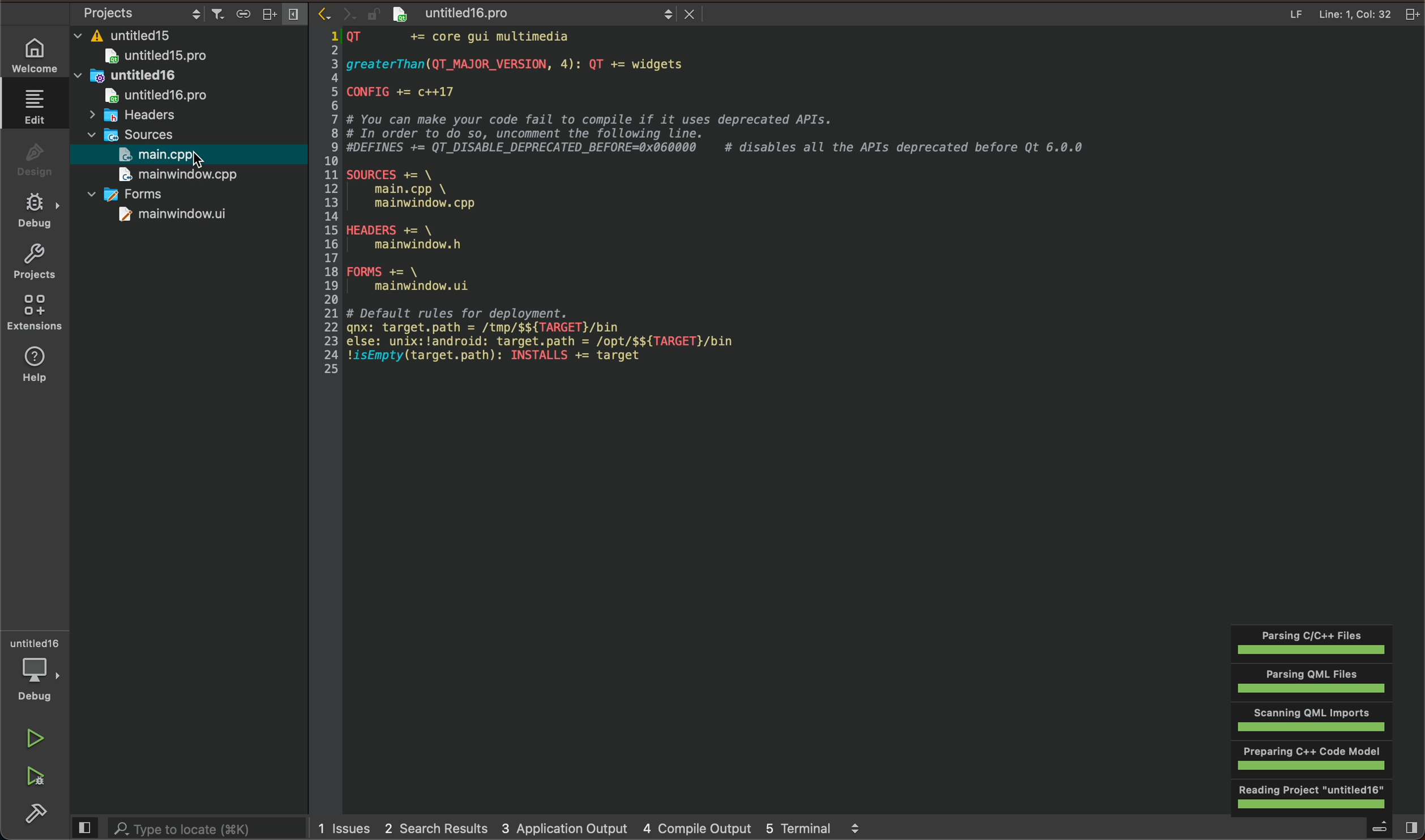  I want to click on forms, so click(136, 192).